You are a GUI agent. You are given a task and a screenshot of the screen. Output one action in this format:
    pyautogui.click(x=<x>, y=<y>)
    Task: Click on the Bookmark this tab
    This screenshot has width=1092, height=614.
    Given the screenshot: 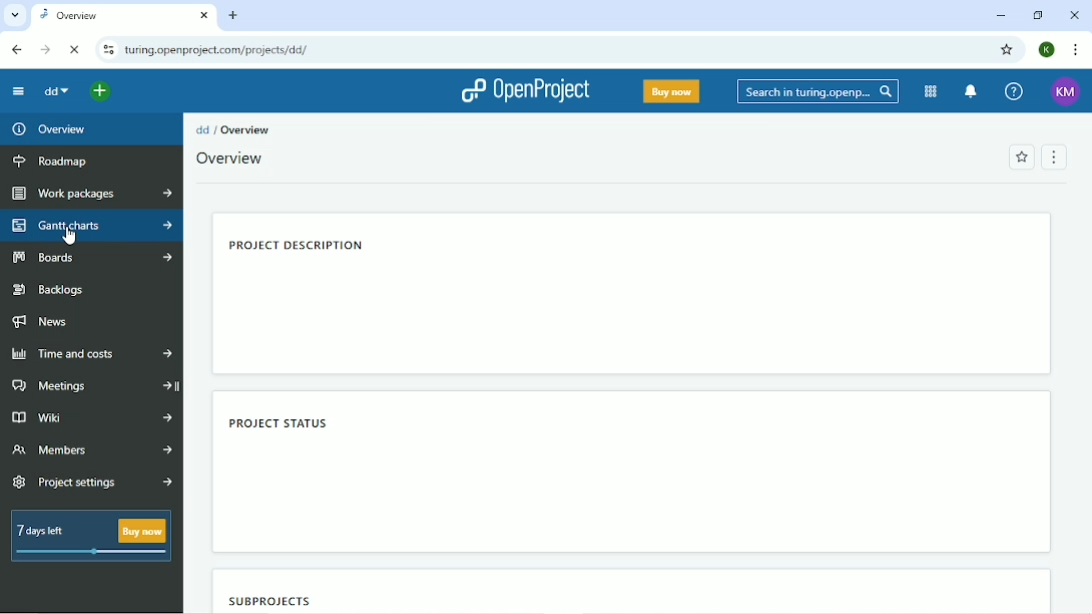 What is the action you would take?
    pyautogui.click(x=1007, y=50)
    